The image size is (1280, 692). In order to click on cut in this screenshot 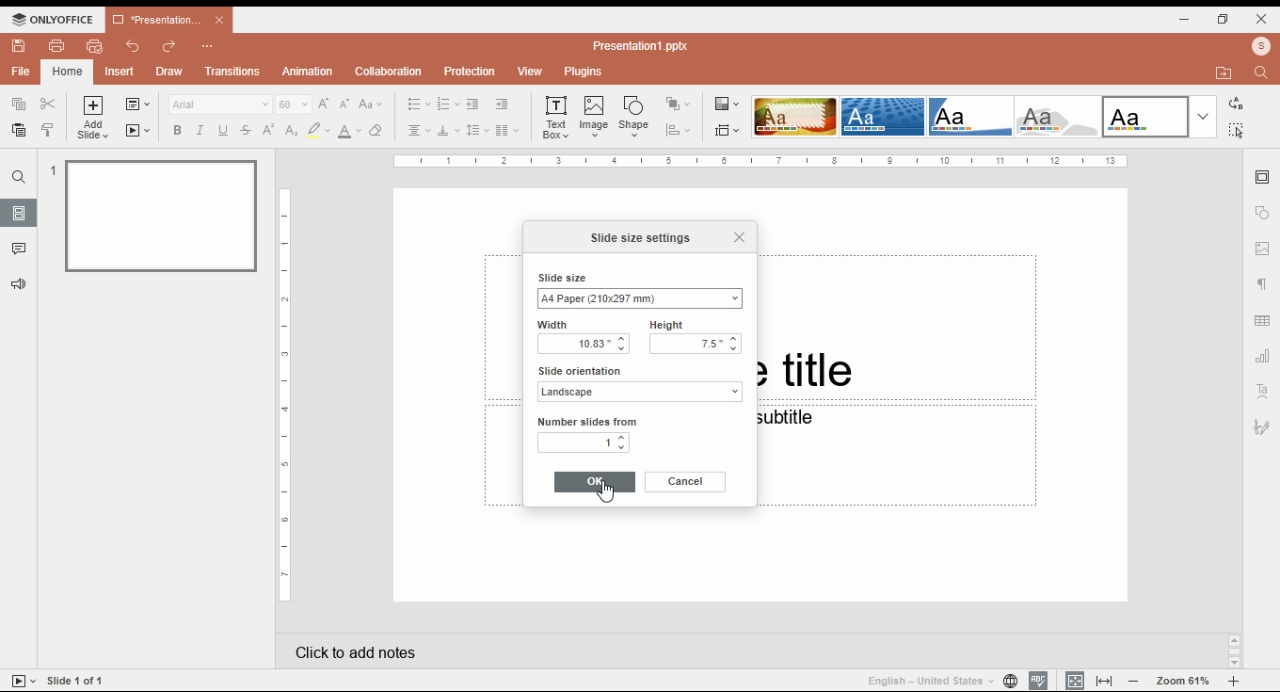, I will do `click(49, 103)`.